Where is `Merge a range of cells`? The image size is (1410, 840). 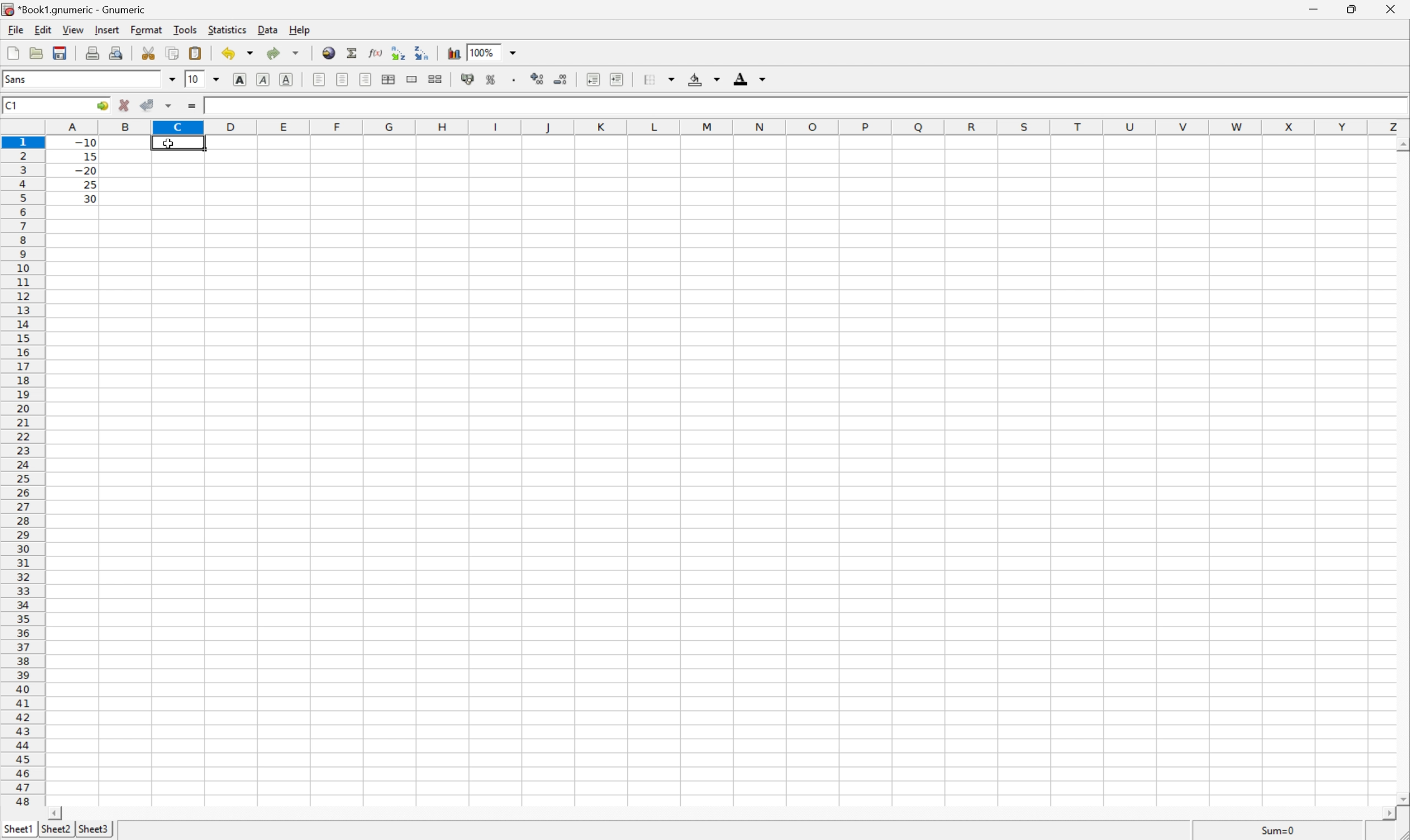
Merge a range of cells is located at coordinates (413, 79).